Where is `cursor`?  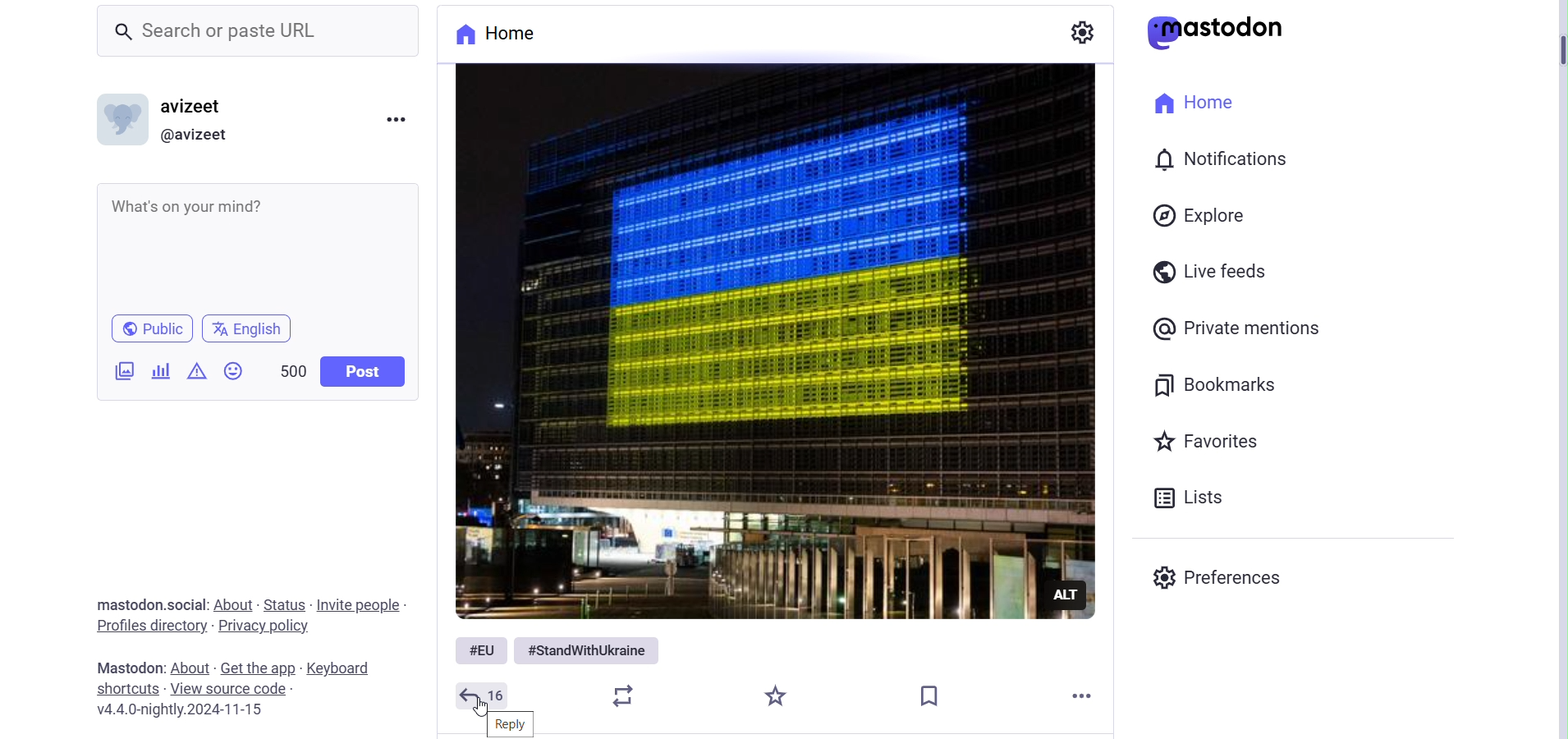
cursor is located at coordinates (479, 707).